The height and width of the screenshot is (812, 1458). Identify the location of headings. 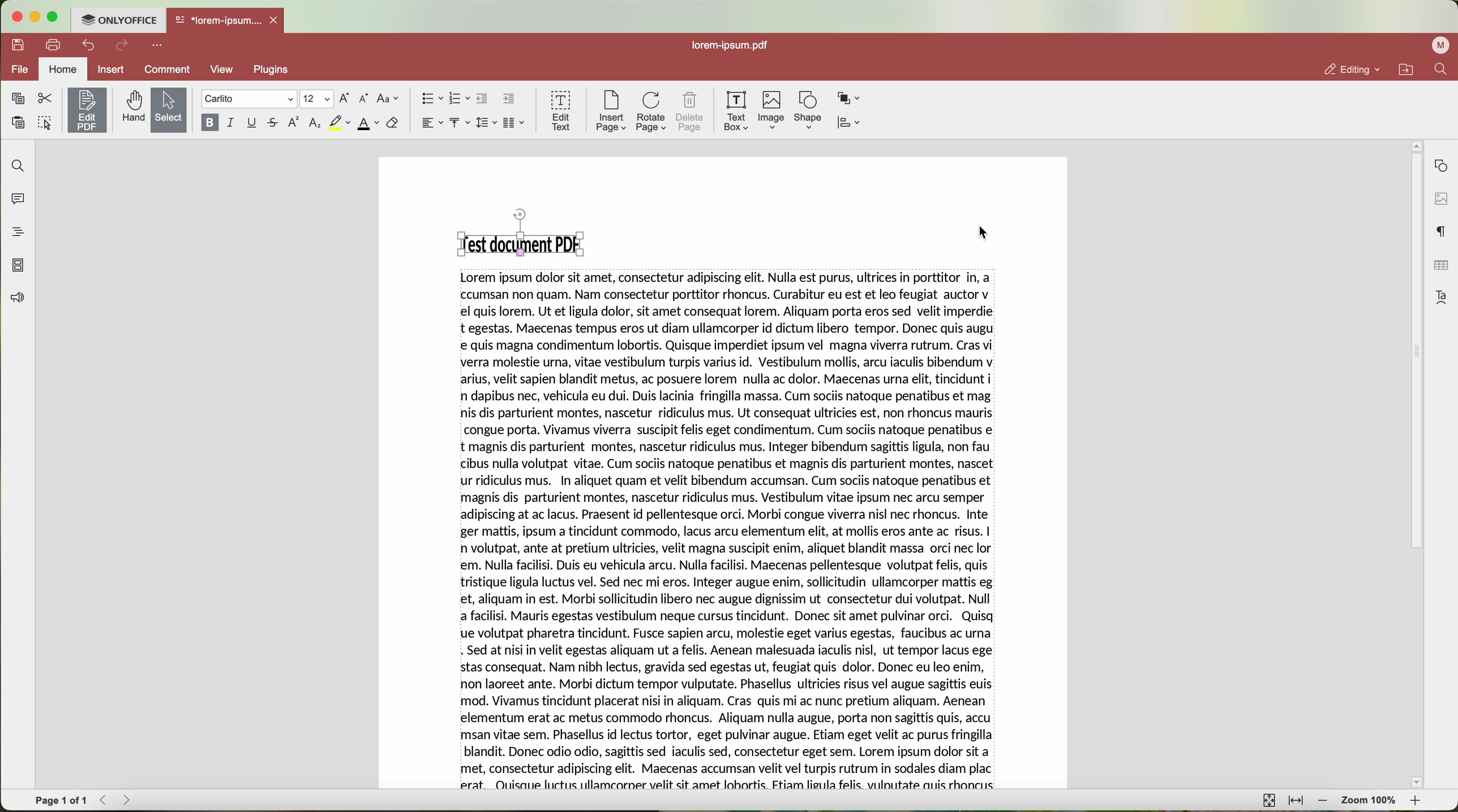
(15, 233).